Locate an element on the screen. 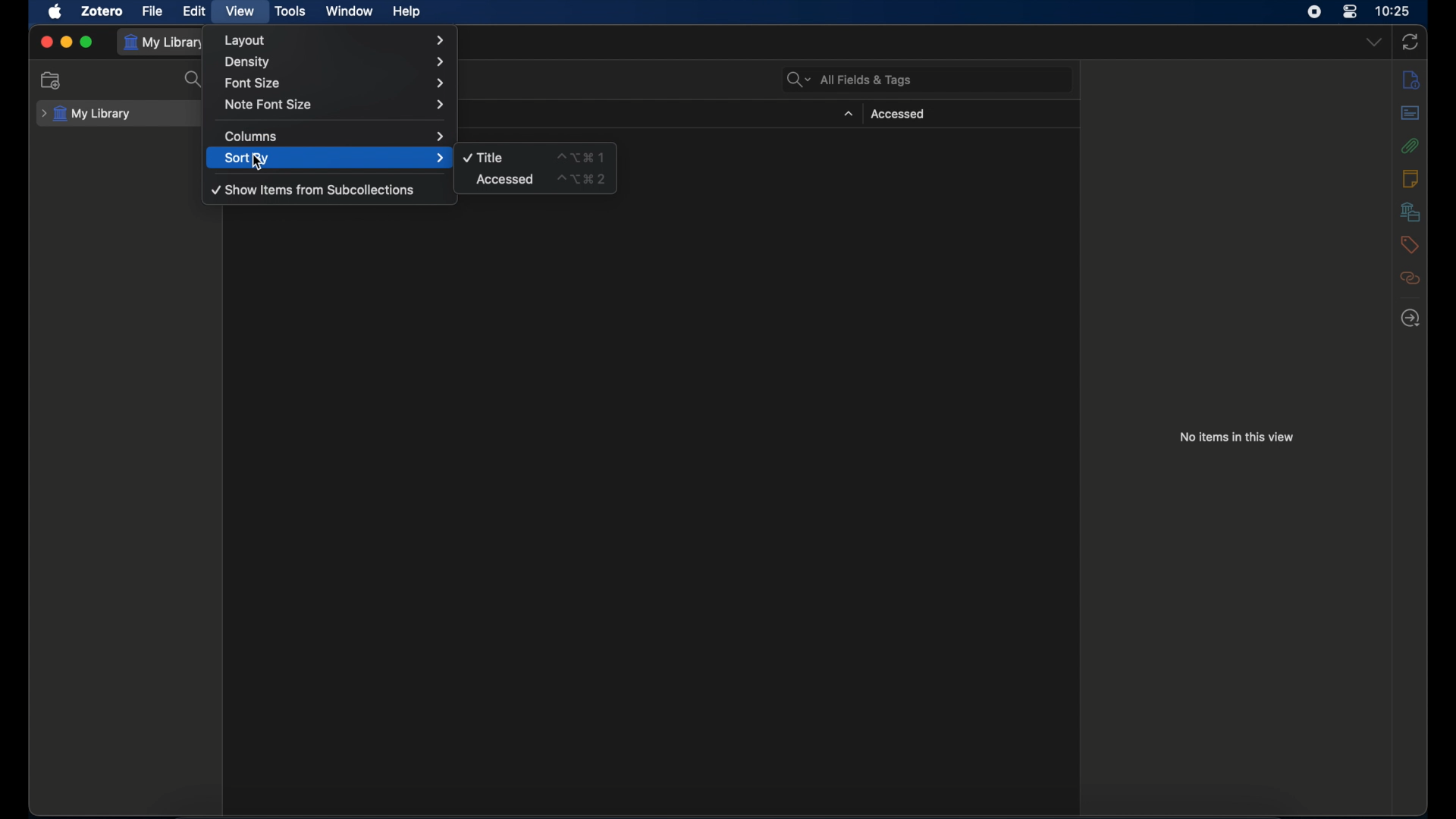 This screenshot has width=1456, height=819. sort by is located at coordinates (334, 158).